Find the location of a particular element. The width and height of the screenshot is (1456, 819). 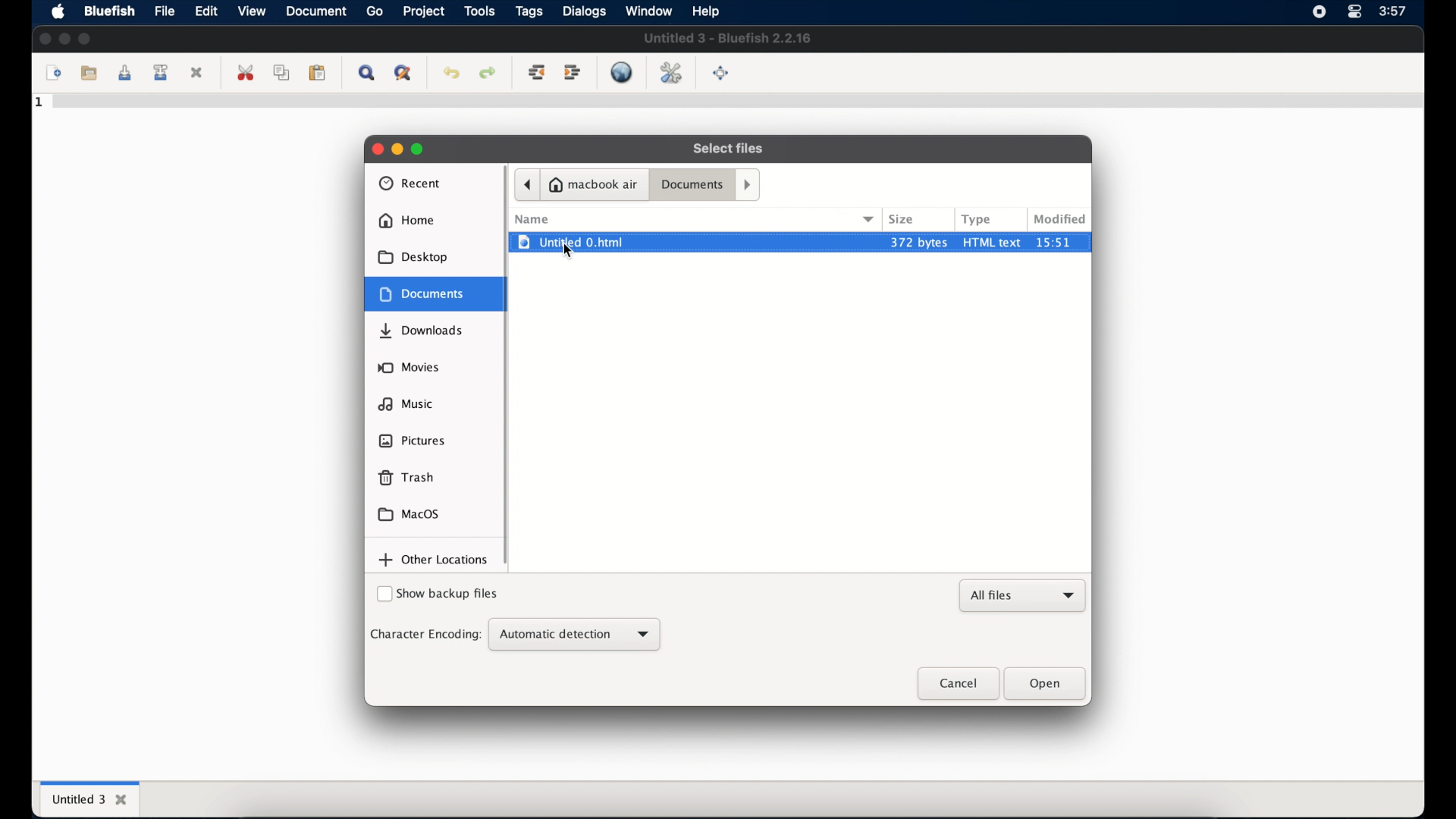

indent  is located at coordinates (573, 73).